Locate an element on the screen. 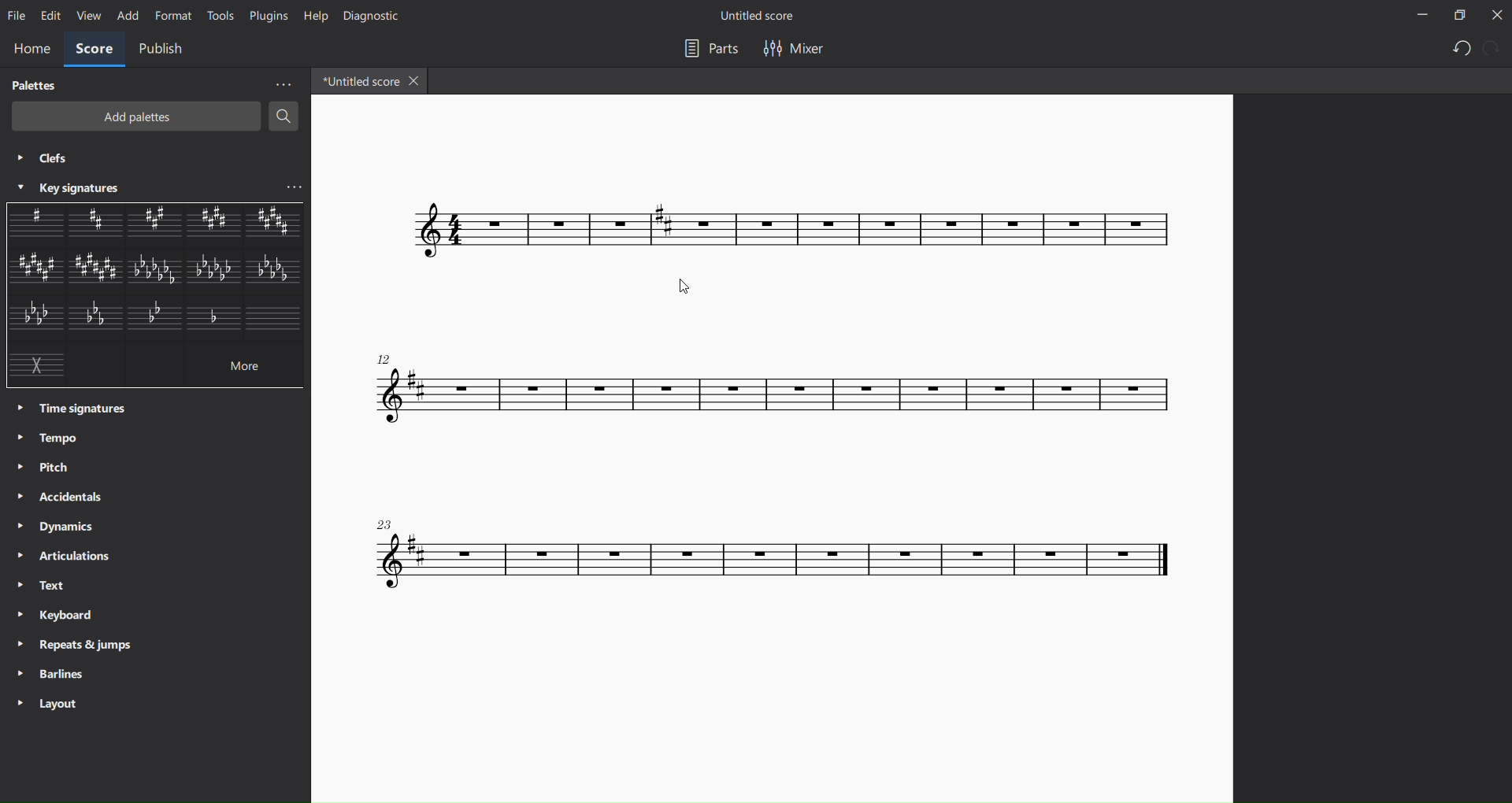 The image size is (1512, 803). other key signatures is located at coordinates (93, 342).